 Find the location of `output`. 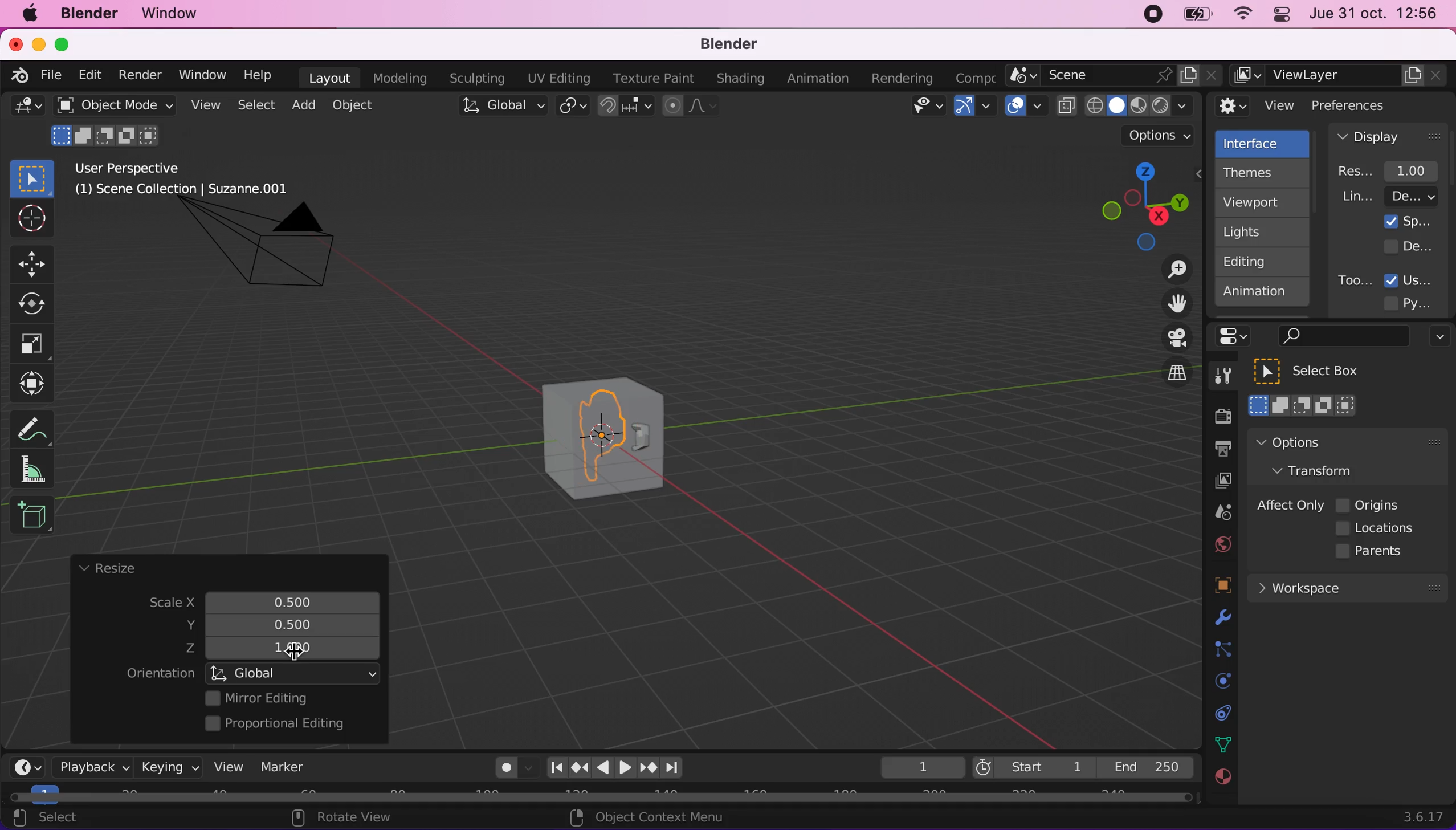

output is located at coordinates (1217, 450).